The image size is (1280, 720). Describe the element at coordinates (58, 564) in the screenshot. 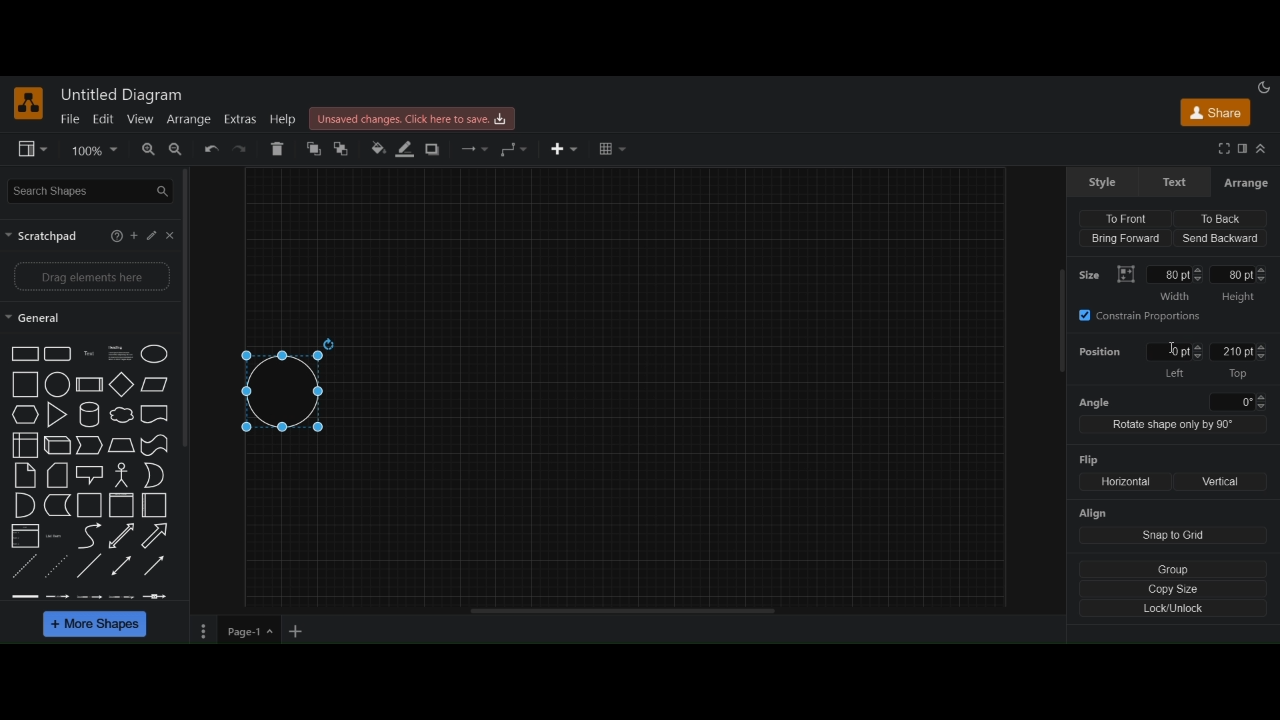

I see `dotted line` at that location.